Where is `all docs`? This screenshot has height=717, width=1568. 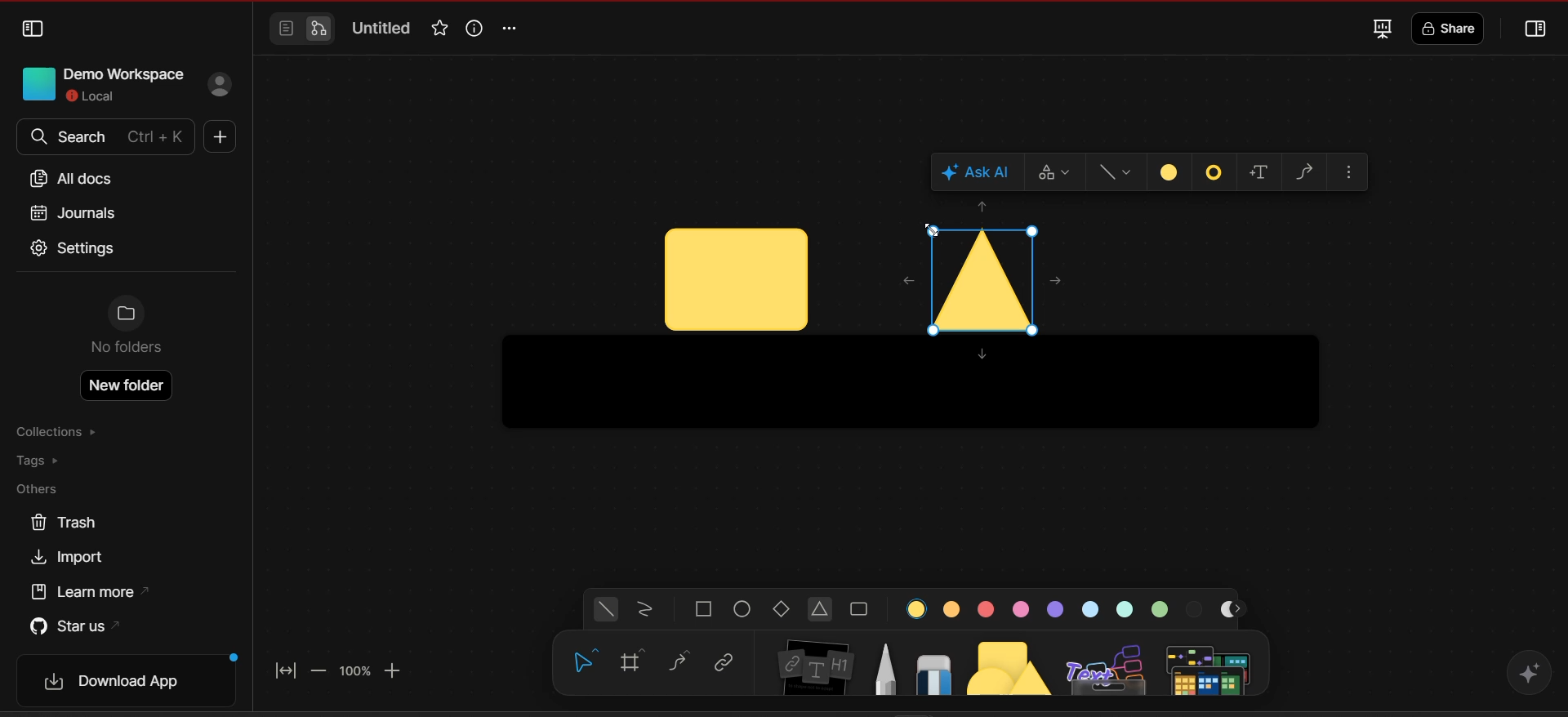 all docs is located at coordinates (78, 179).